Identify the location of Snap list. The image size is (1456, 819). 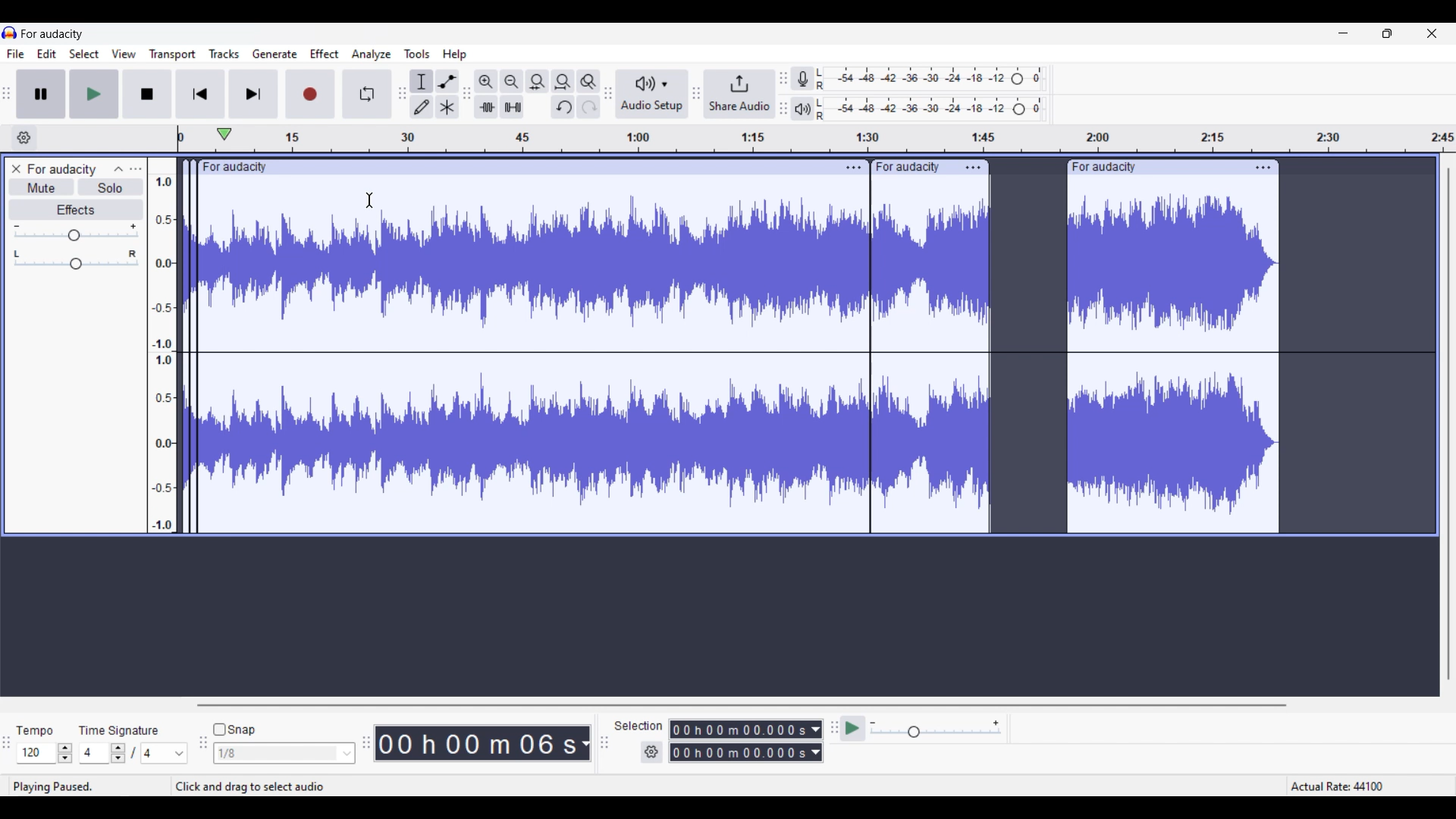
(284, 754).